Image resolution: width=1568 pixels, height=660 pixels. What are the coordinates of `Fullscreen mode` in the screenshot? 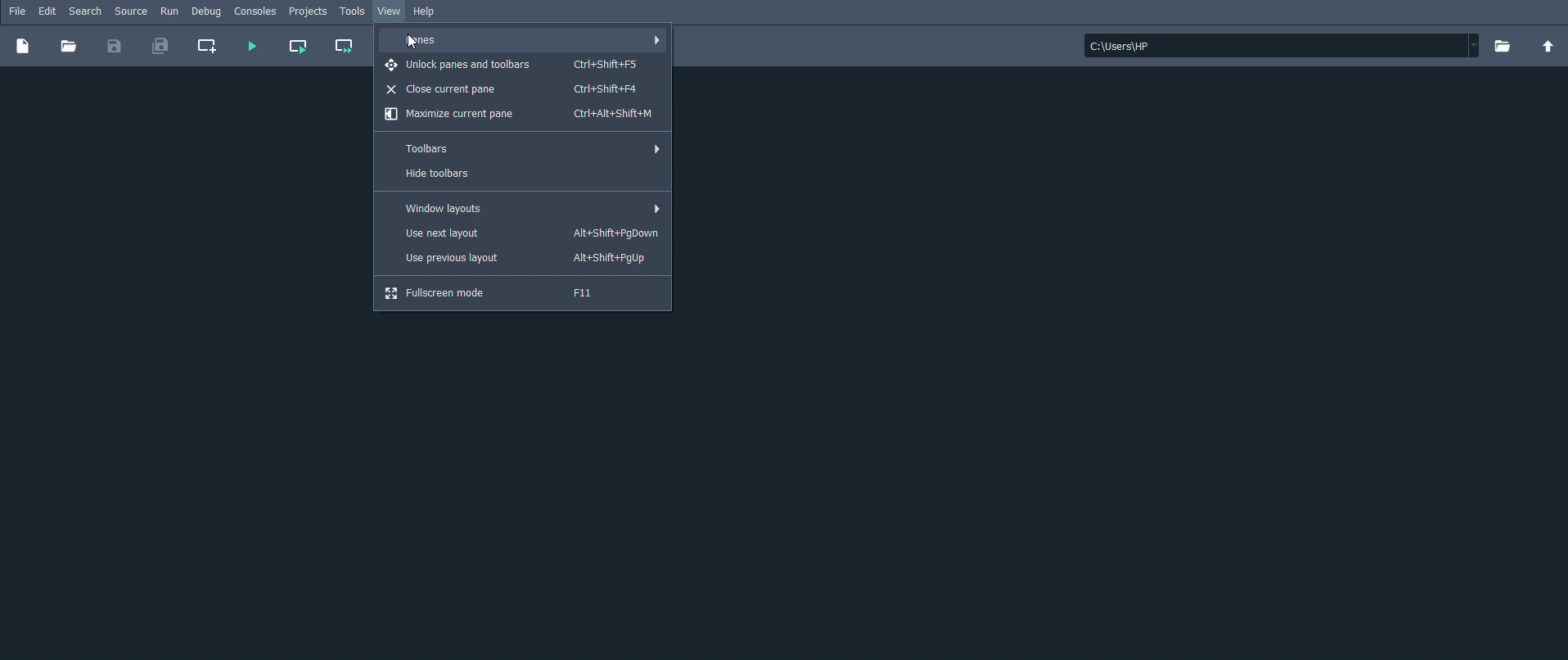 It's located at (524, 294).